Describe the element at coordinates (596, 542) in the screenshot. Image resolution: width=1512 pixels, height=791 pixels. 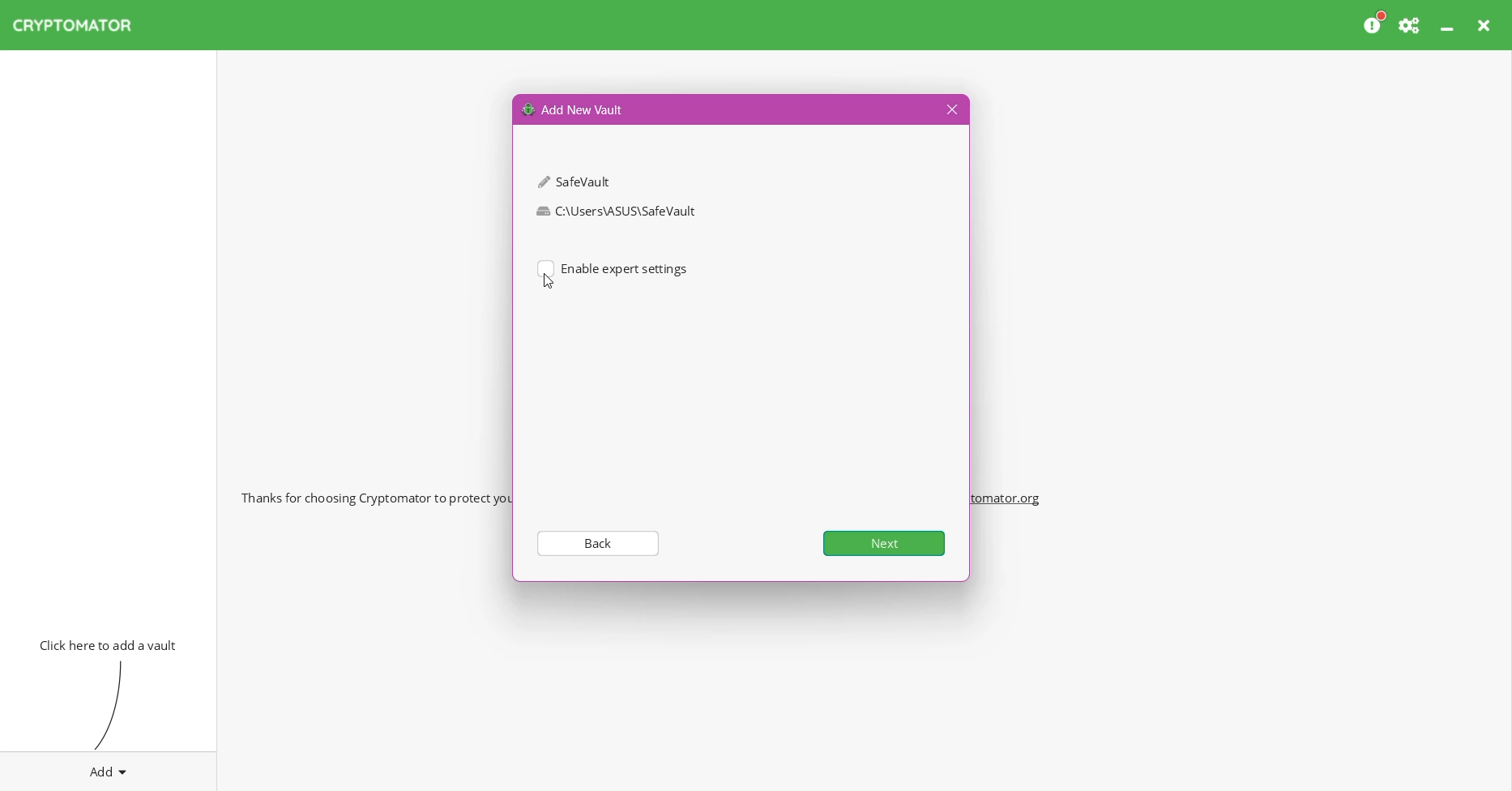
I see `Back` at that location.